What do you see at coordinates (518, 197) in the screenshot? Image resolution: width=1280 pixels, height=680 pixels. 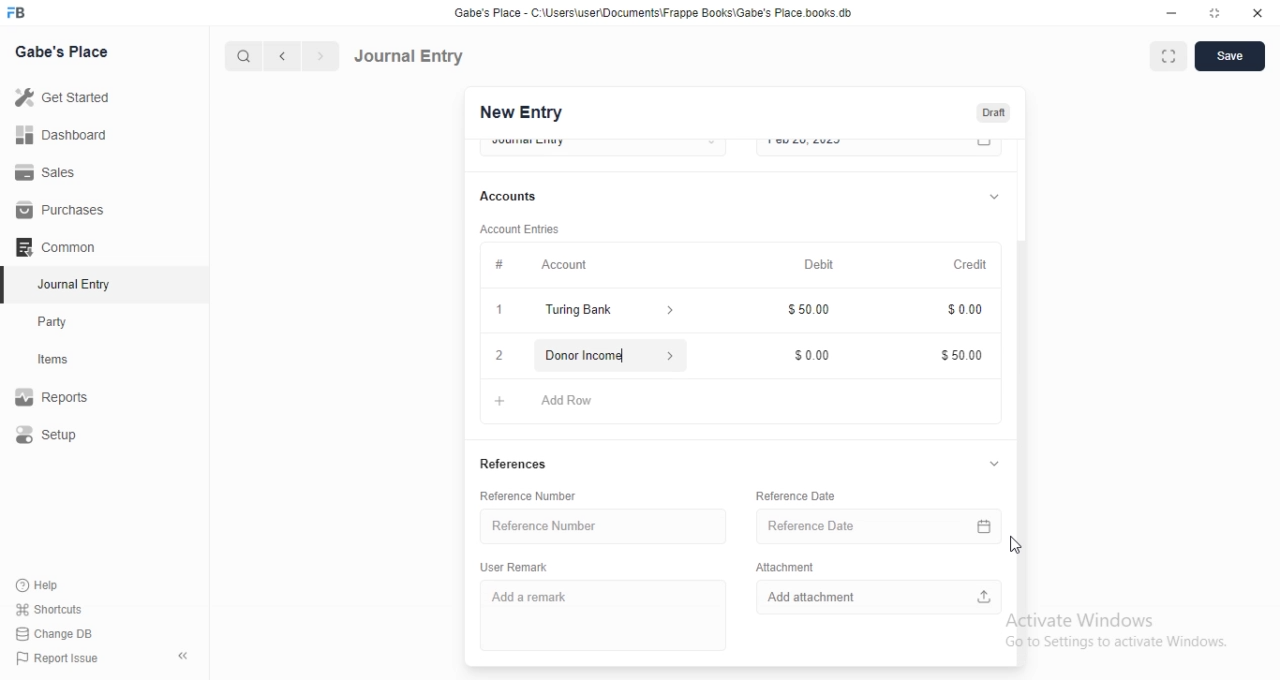 I see `Accounts.` at bounding box center [518, 197].